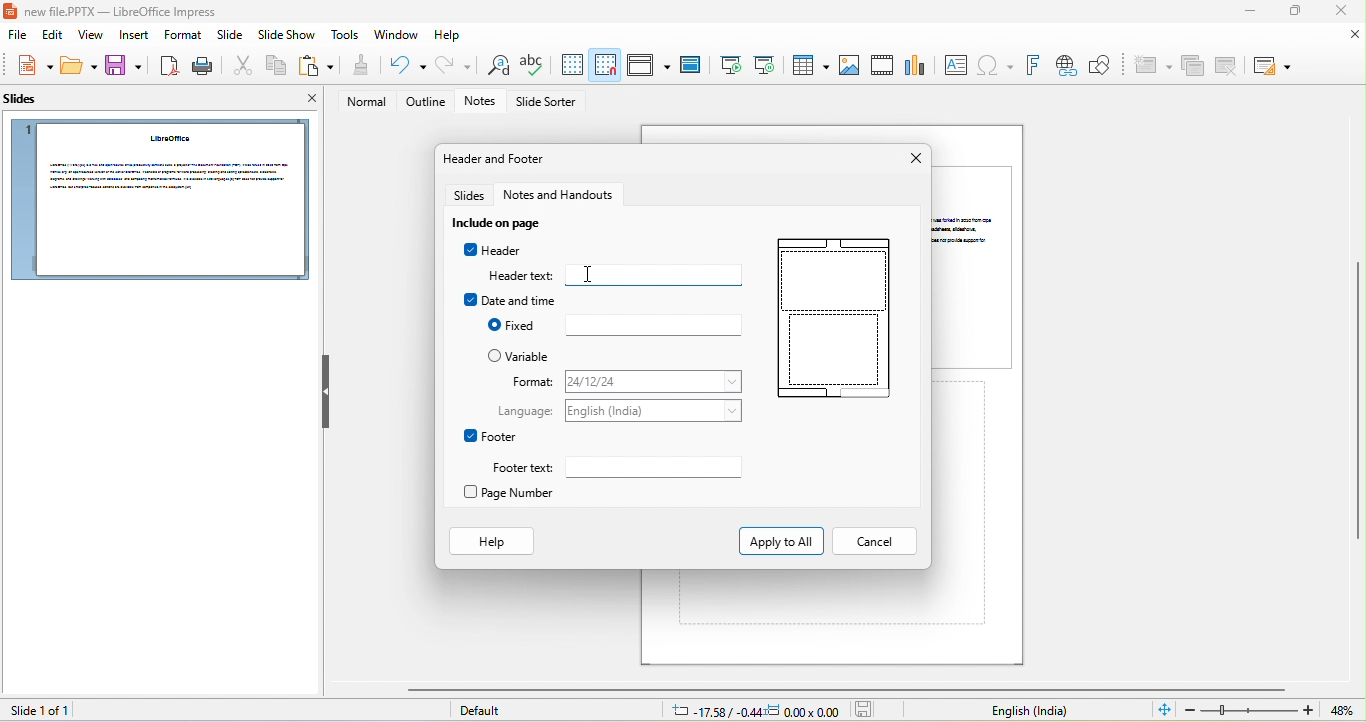 The image size is (1366, 722). I want to click on table, so click(808, 64).